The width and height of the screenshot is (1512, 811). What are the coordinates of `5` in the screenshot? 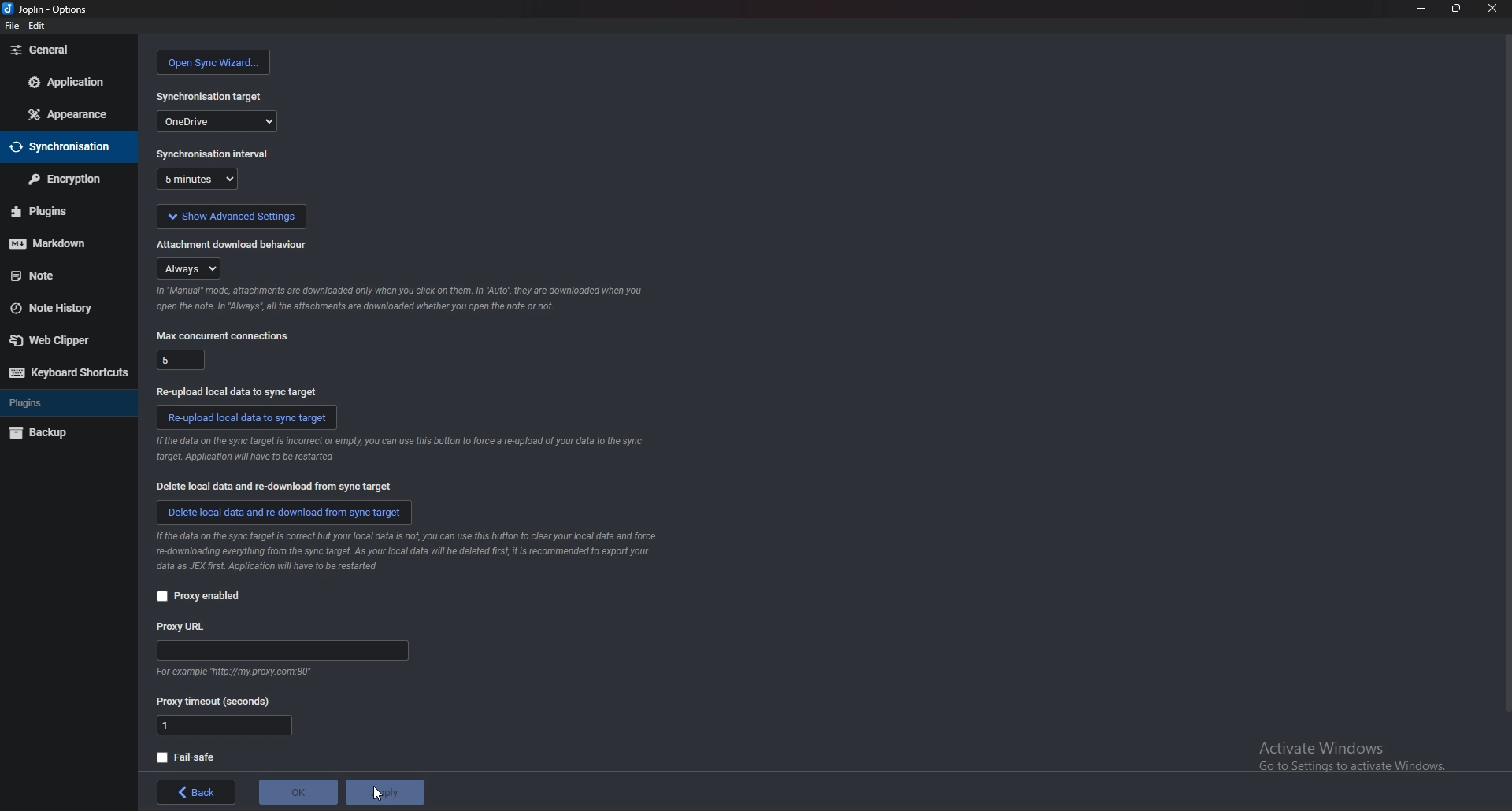 It's located at (180, 360).